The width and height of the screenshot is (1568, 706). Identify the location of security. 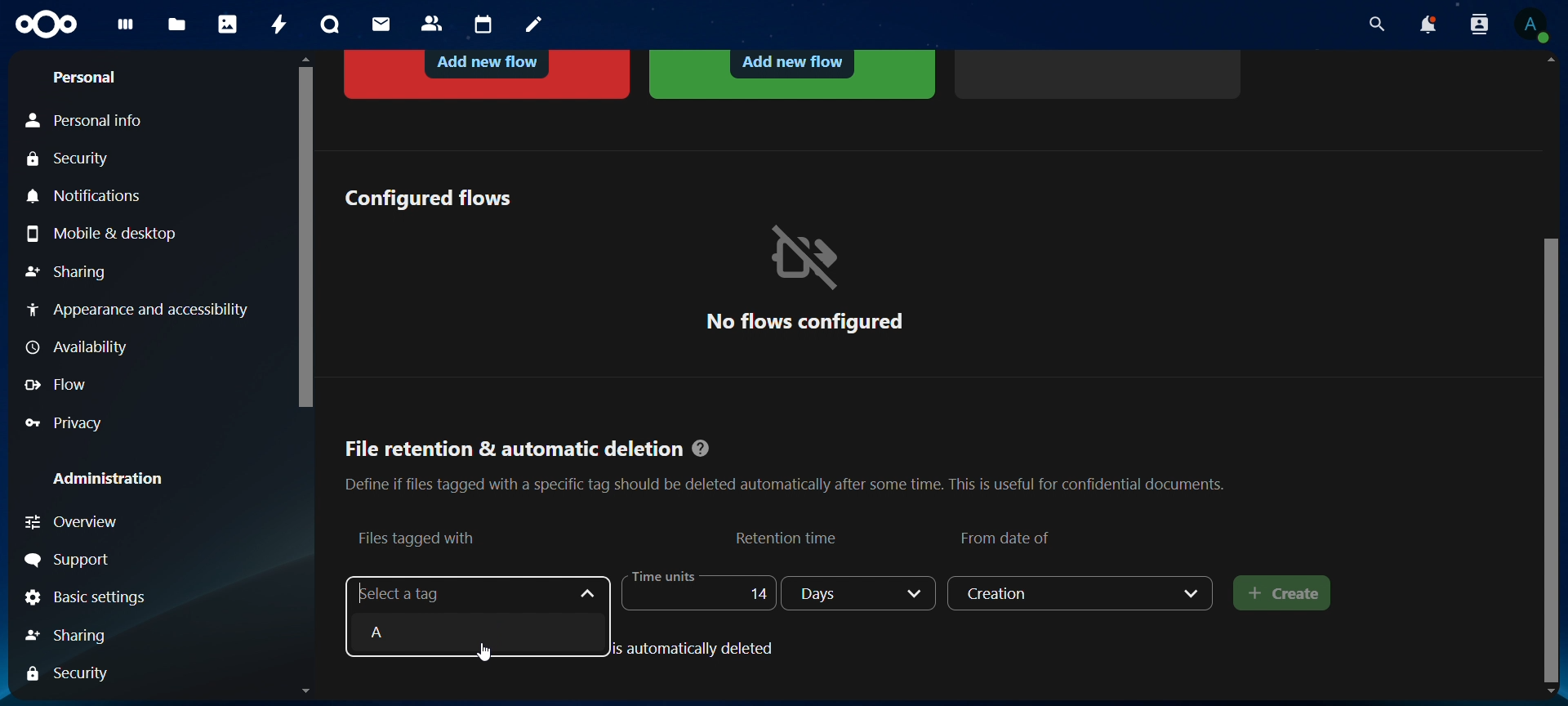
(73, 160).